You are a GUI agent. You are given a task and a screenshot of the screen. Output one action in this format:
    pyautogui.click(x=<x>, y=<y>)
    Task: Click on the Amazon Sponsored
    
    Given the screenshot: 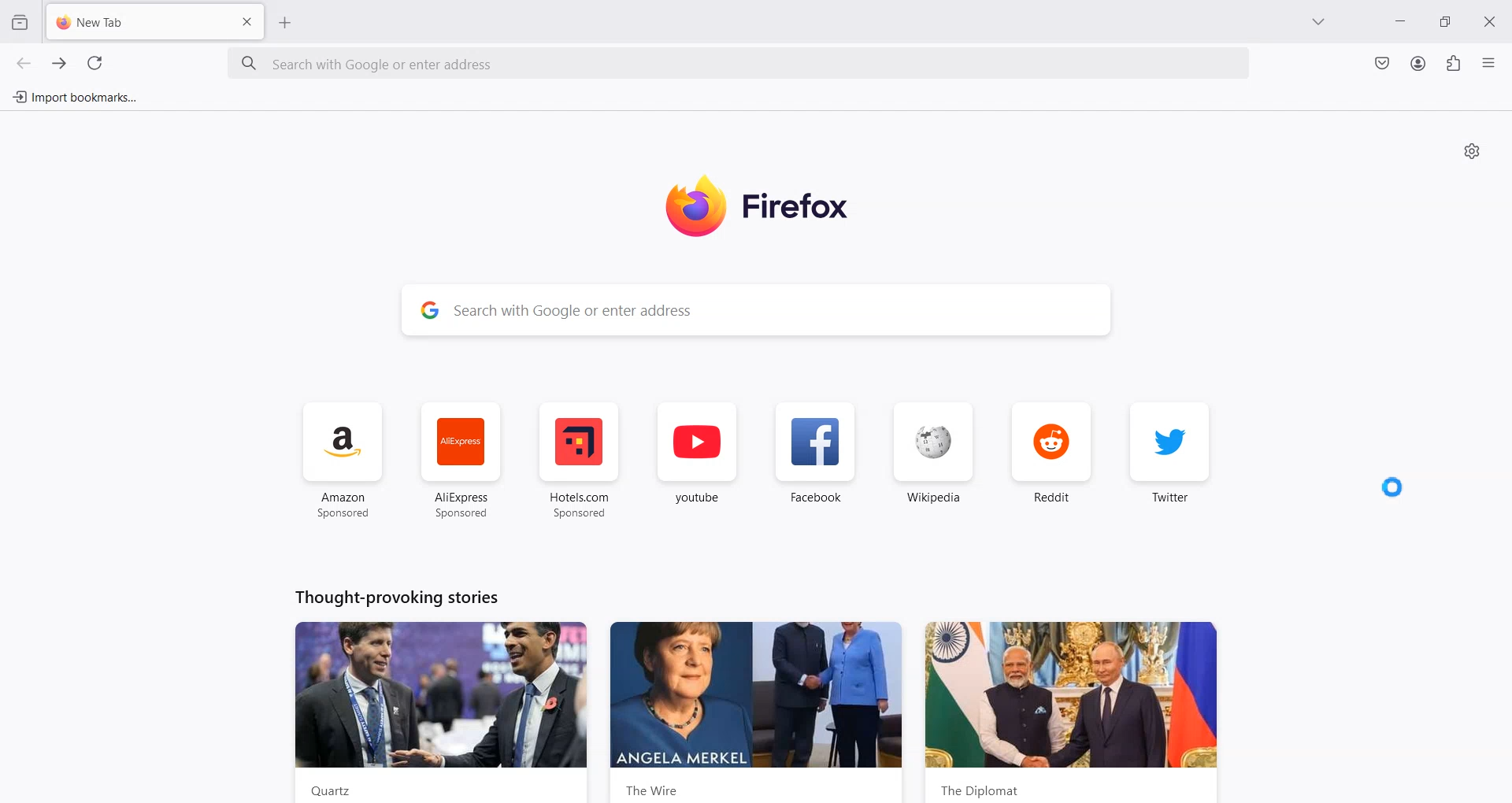 What is the action you would take?
    pyautogui.click(x=344, y=461)
    